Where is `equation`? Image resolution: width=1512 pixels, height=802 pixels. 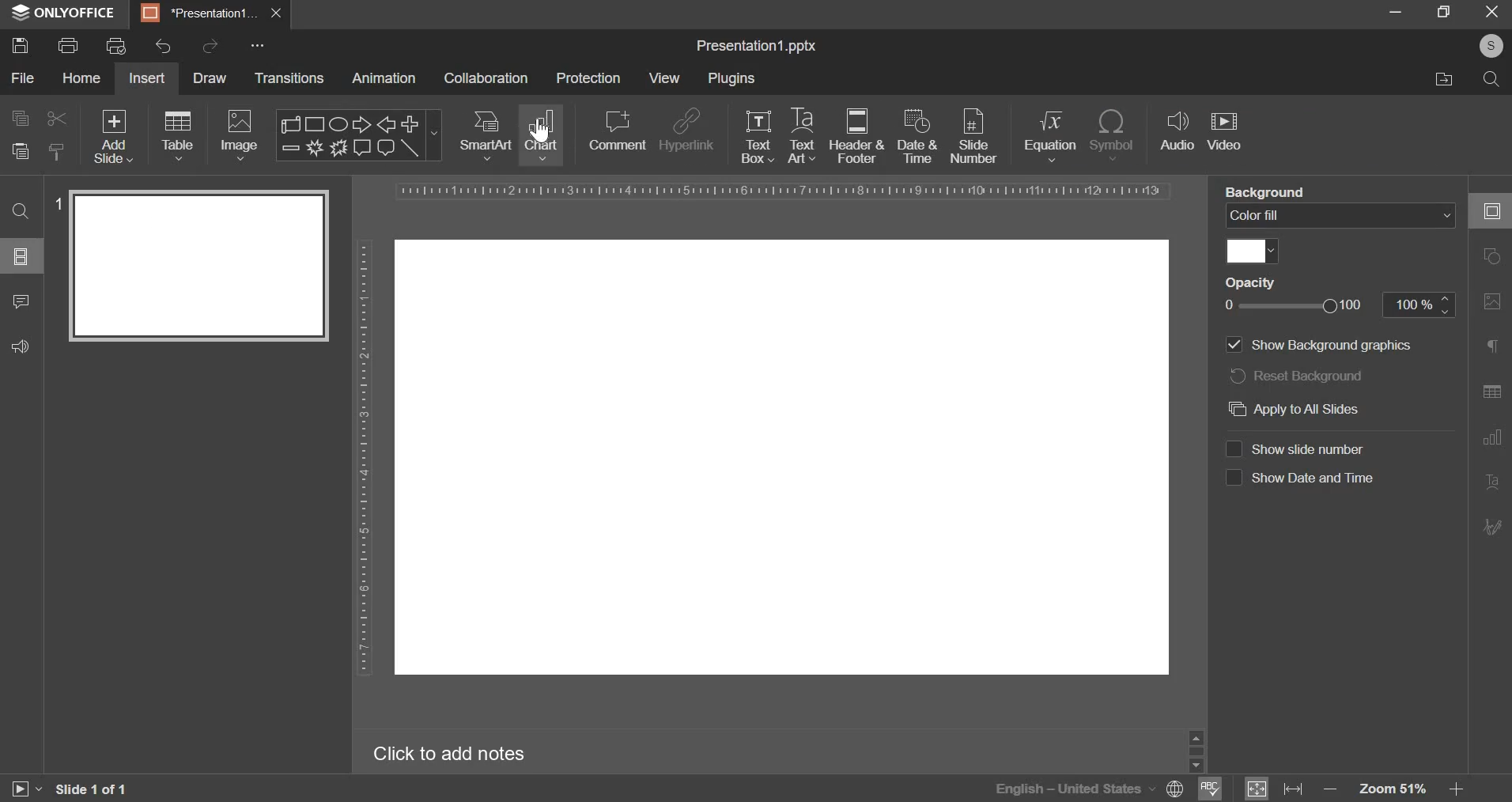
equation is located at coordinates (1049, 134).